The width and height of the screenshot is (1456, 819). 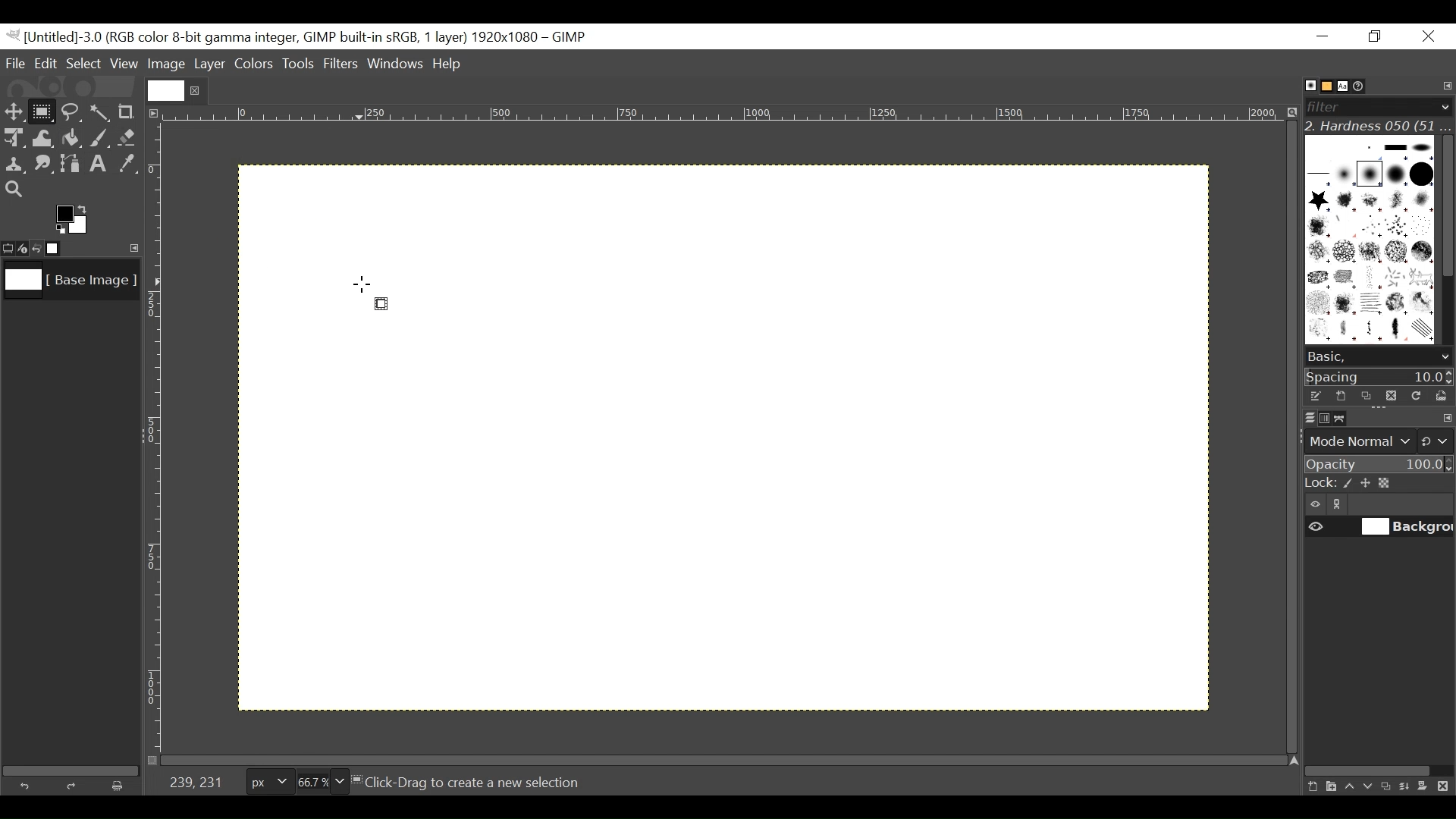 What do you see at coordinates (196, 783) in the screenshot?
I see `239,231` at bounding box center [196, 783].